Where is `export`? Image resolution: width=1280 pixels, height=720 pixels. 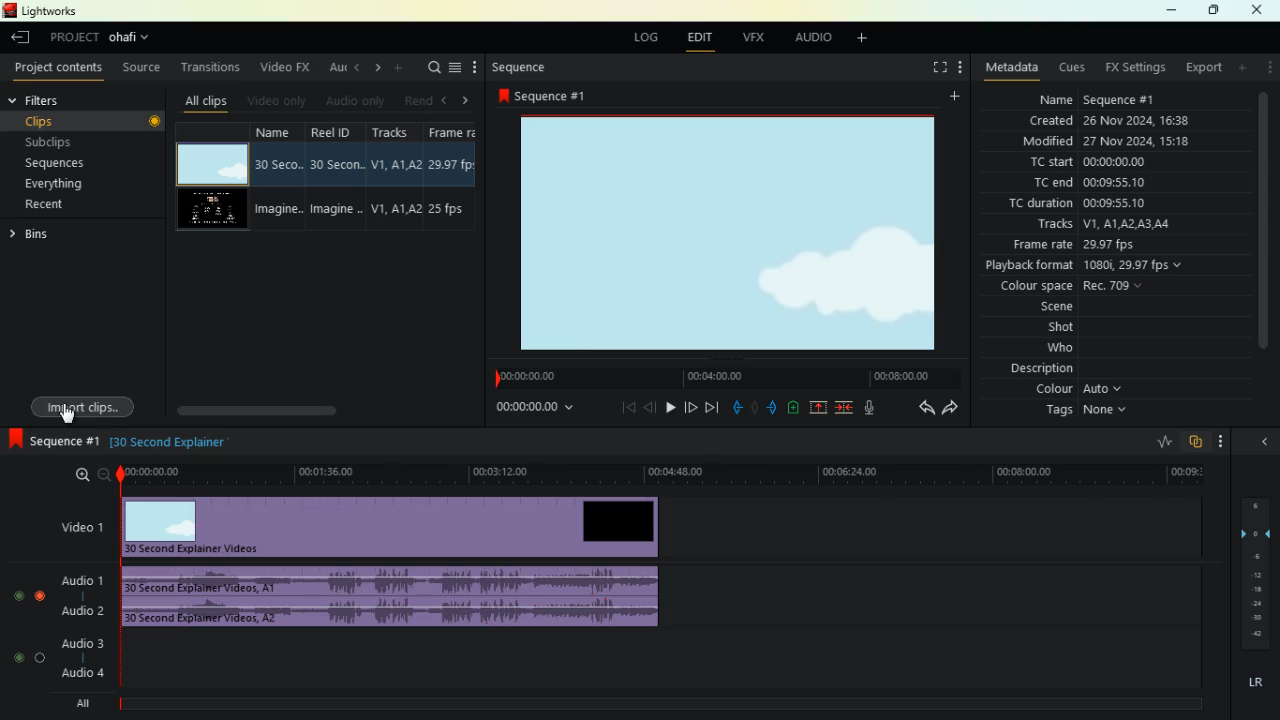
export is located at coordinates (1203, 68).